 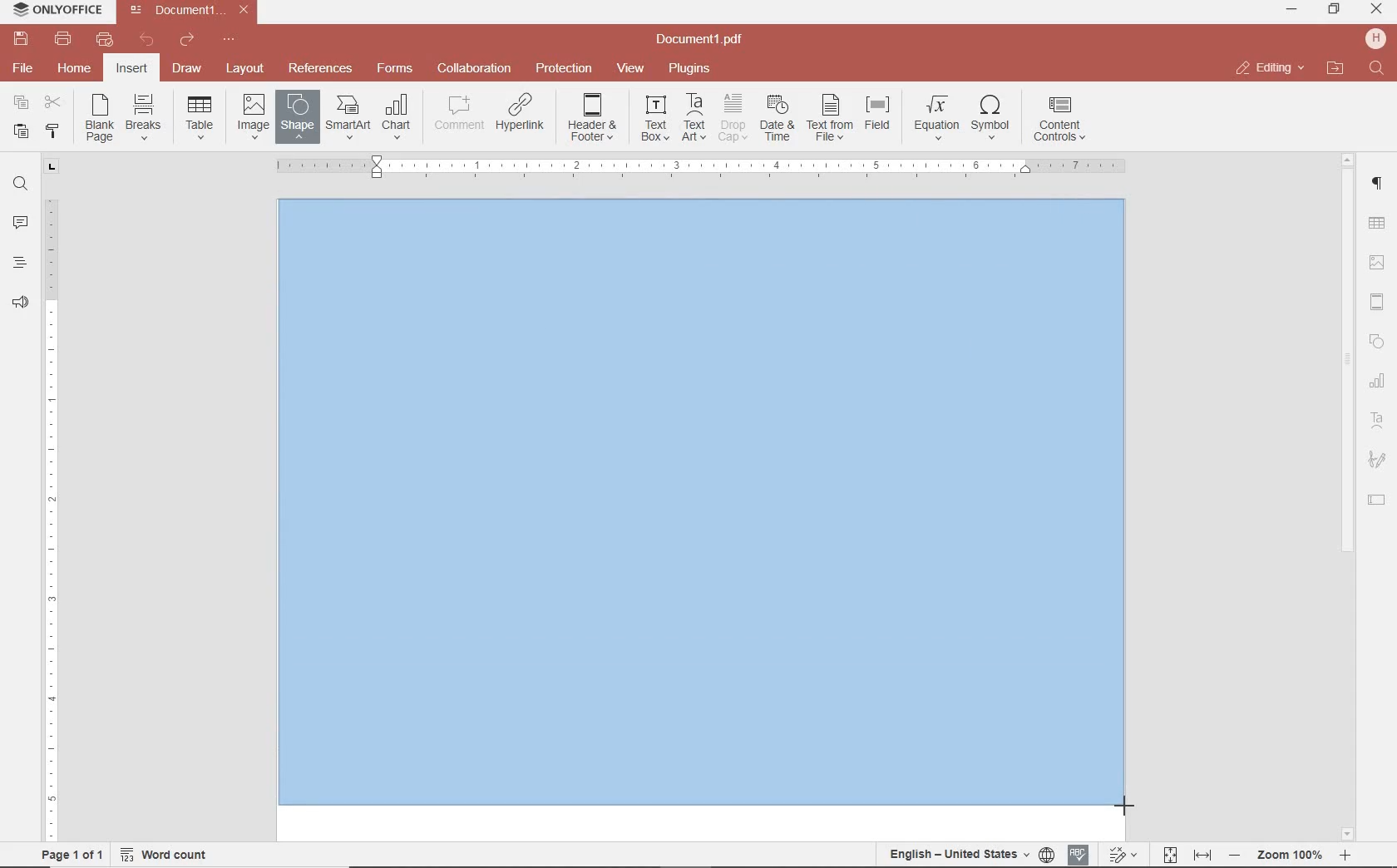 I want to click on layout, so click(x=248, y=70).